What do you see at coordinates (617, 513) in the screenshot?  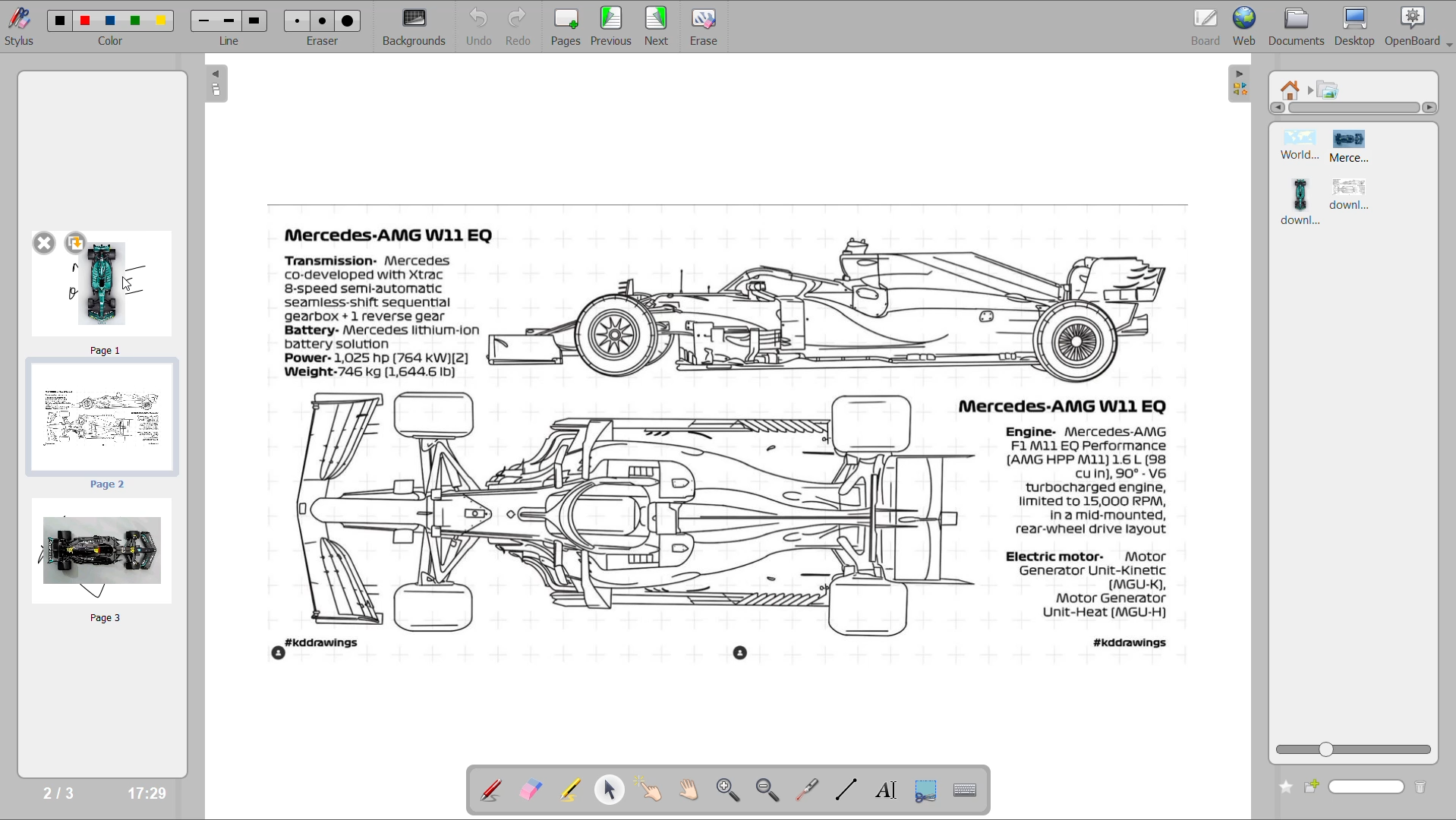 I see `selected image` at bounding box center [617, 513].